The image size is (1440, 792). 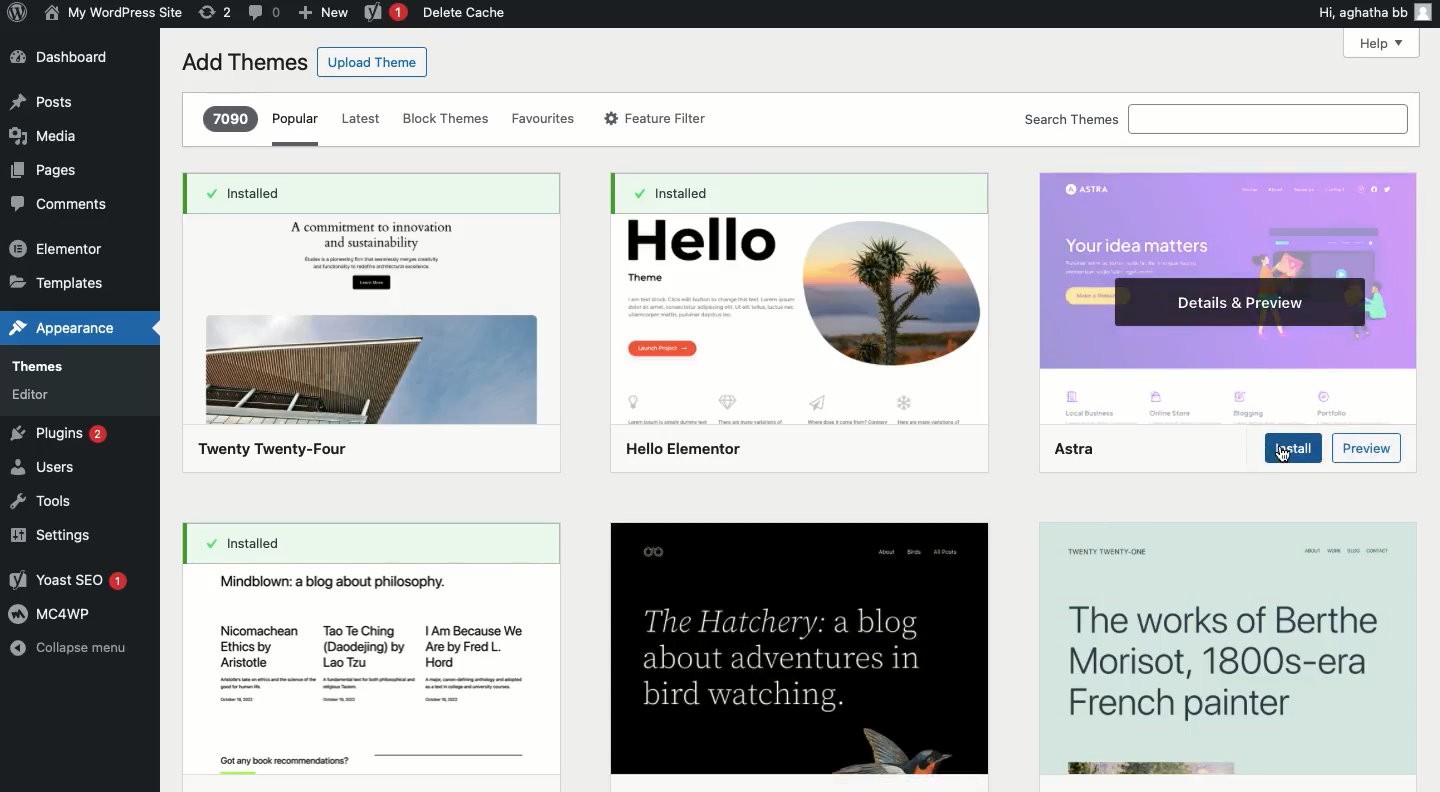 I want to click on Add themes, so click(x=241, y=62).